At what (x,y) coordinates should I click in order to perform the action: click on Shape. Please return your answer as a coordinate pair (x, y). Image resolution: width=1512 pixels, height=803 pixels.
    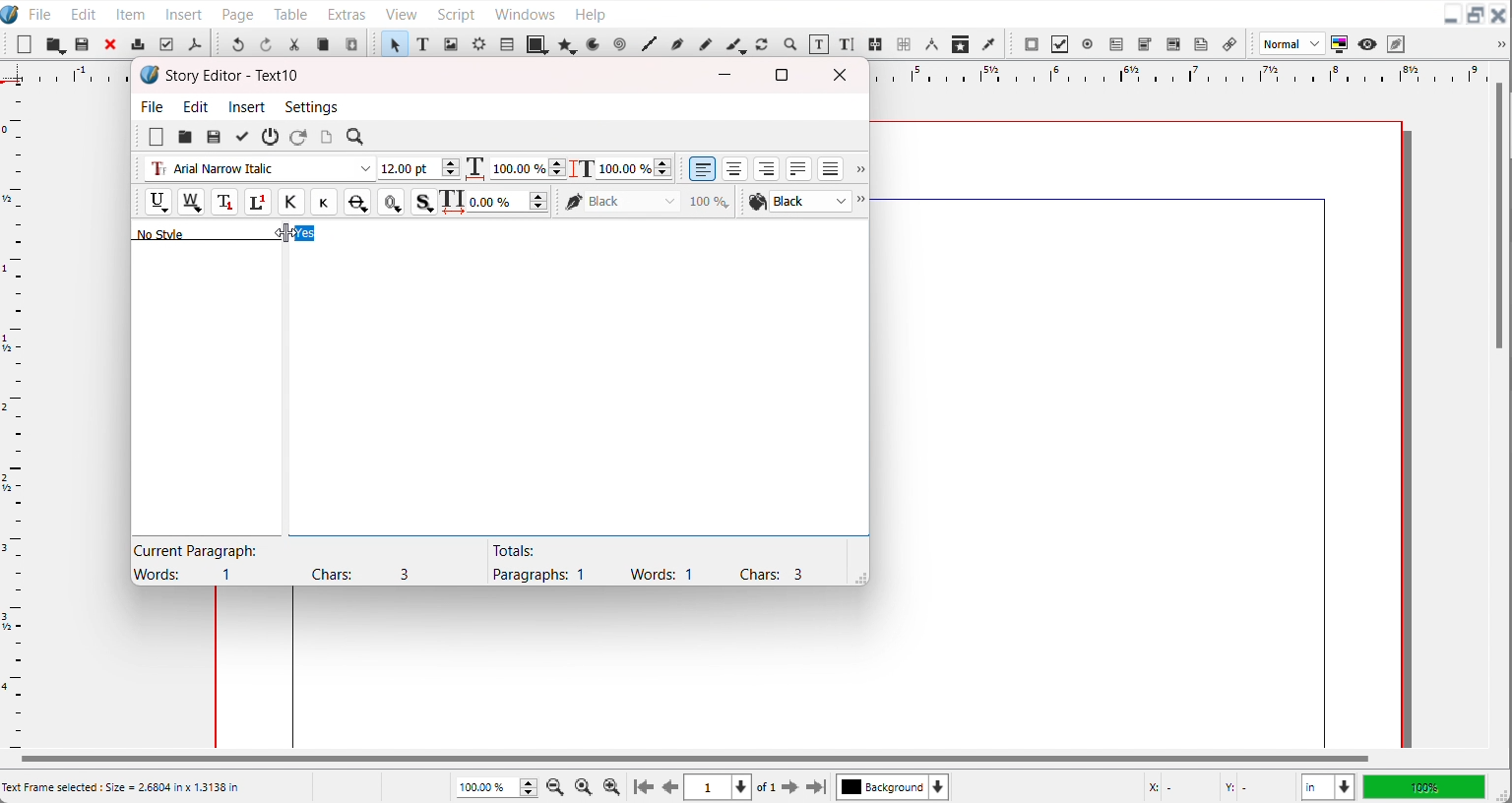
    Looking at the image, I should click on (537, 43).